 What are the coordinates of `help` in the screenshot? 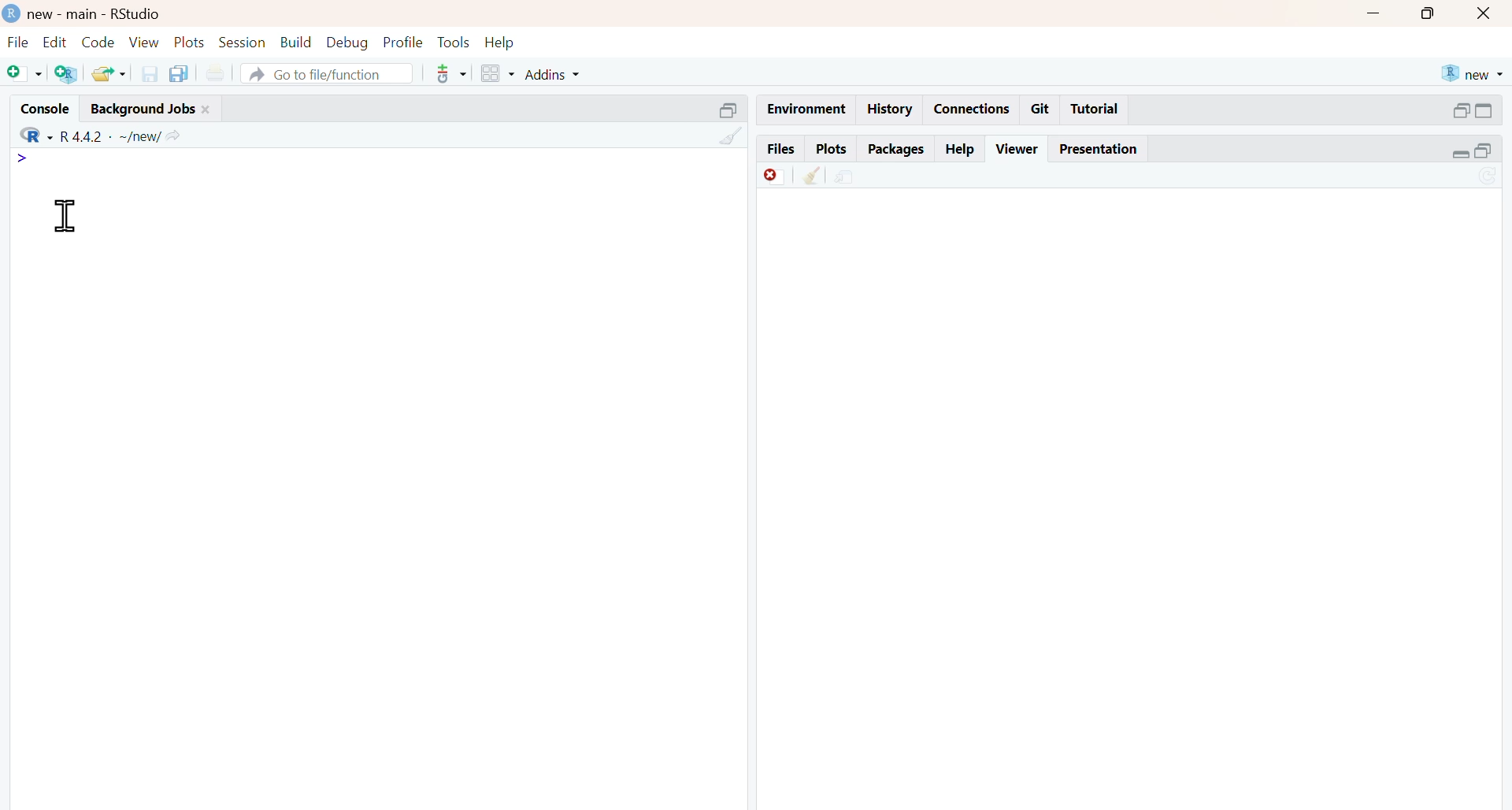 It's located at (500, 43).